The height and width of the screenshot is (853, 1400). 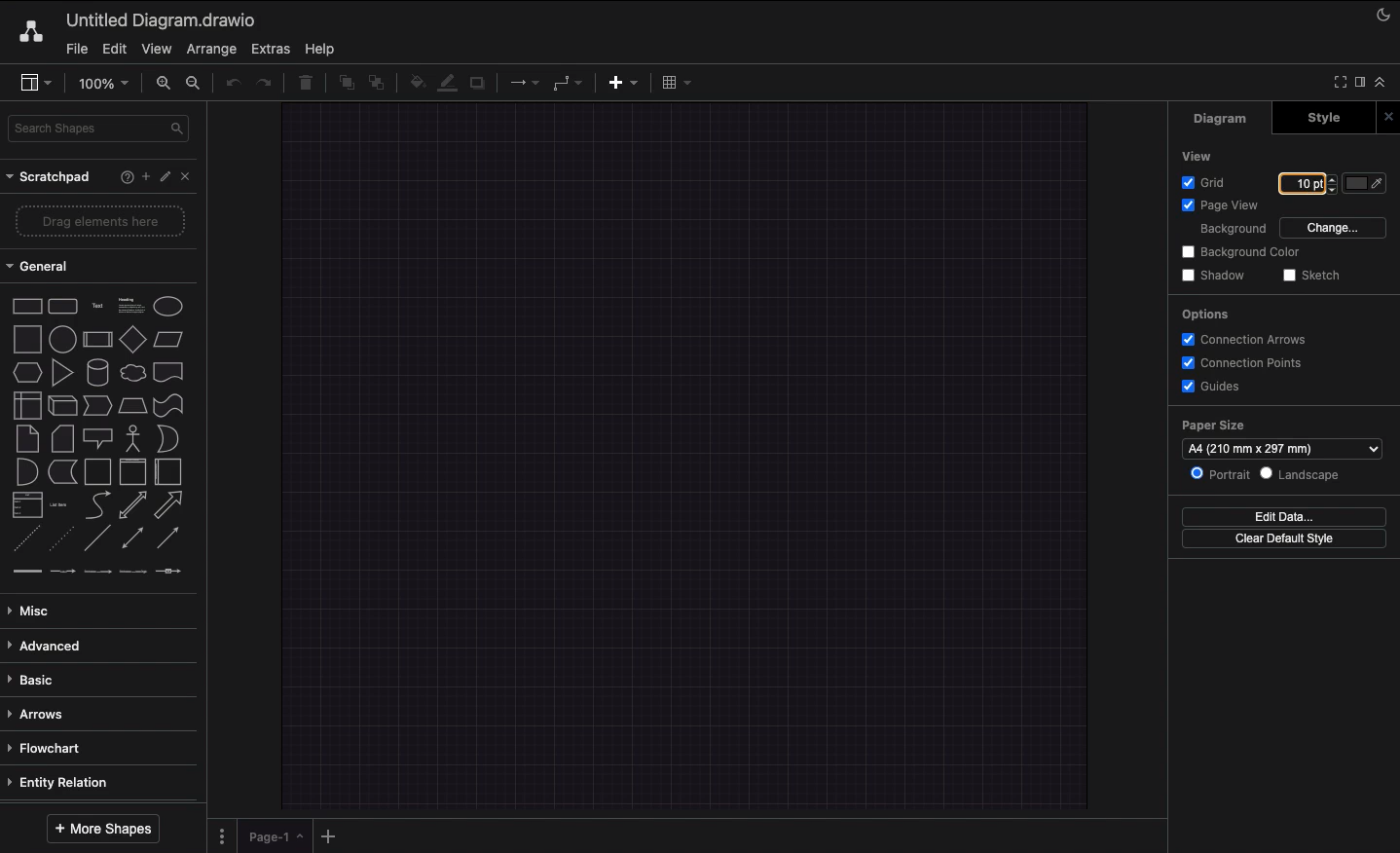 I want to click on Diagram, so click(x=1222, y=119).